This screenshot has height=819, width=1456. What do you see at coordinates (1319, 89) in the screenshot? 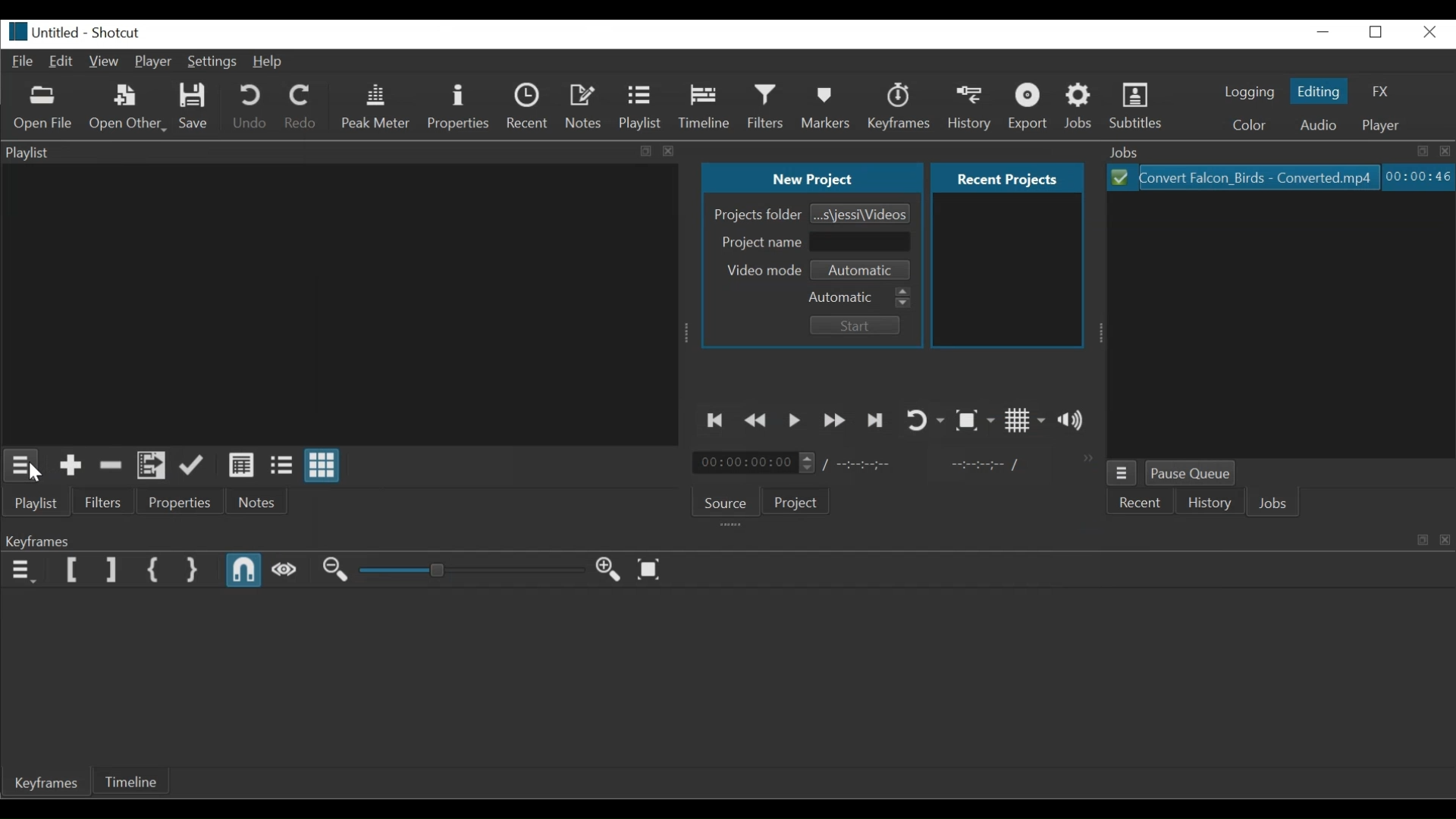
I see `Editing` at bounding box center [1319, 89].